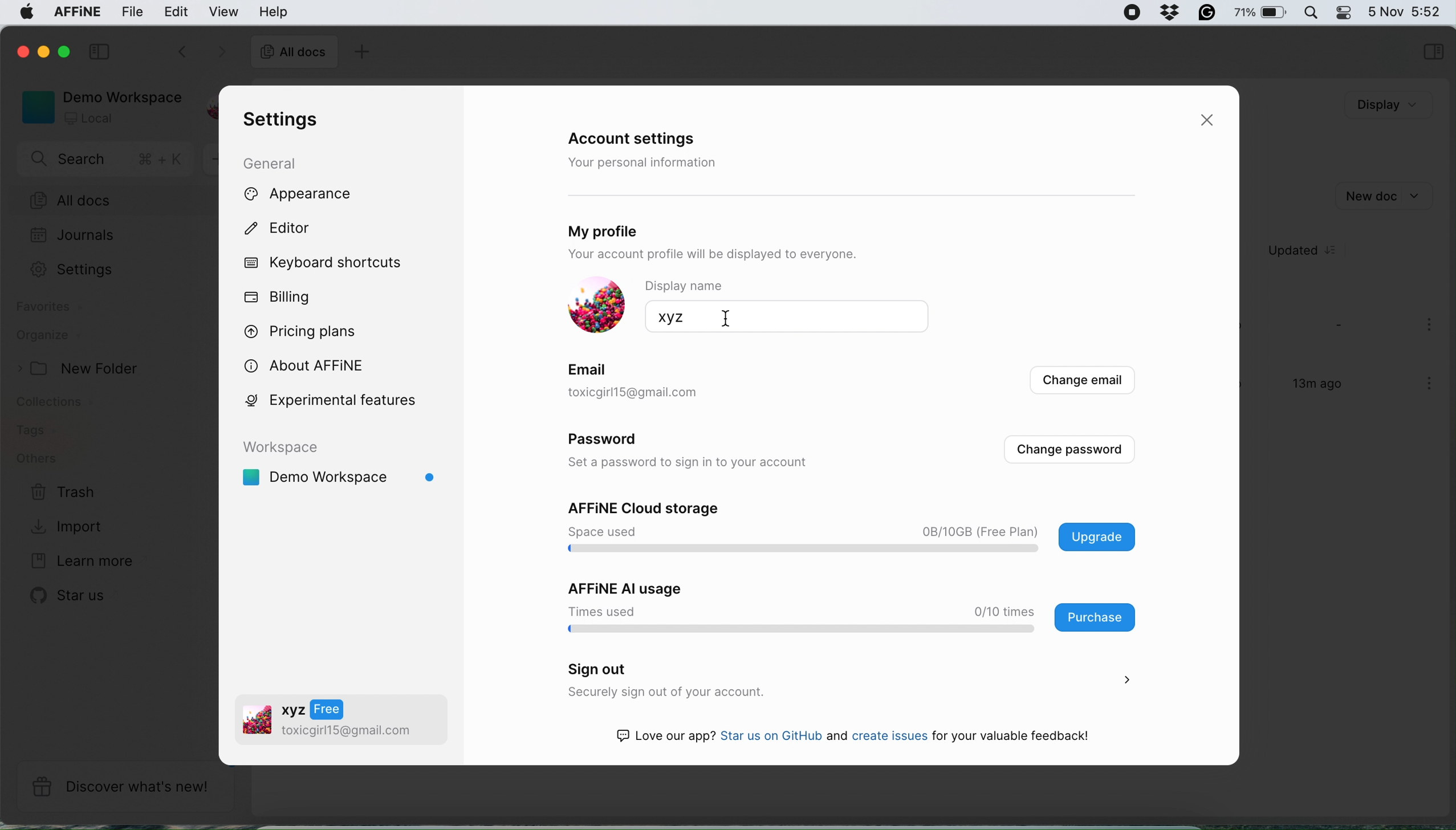  I want to click on settings, so click(277, 120).